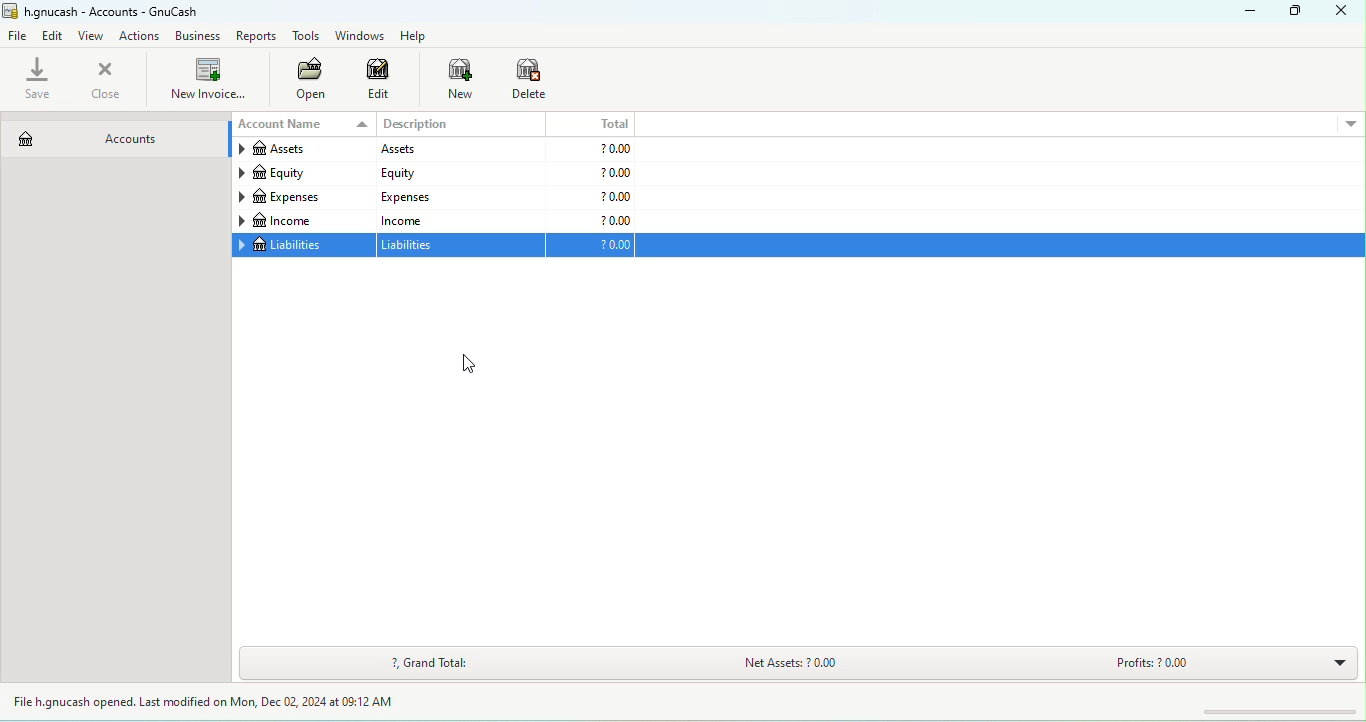  Describe the element at coordinates (456, 150) in the screenshot. I see `assets` at that location.